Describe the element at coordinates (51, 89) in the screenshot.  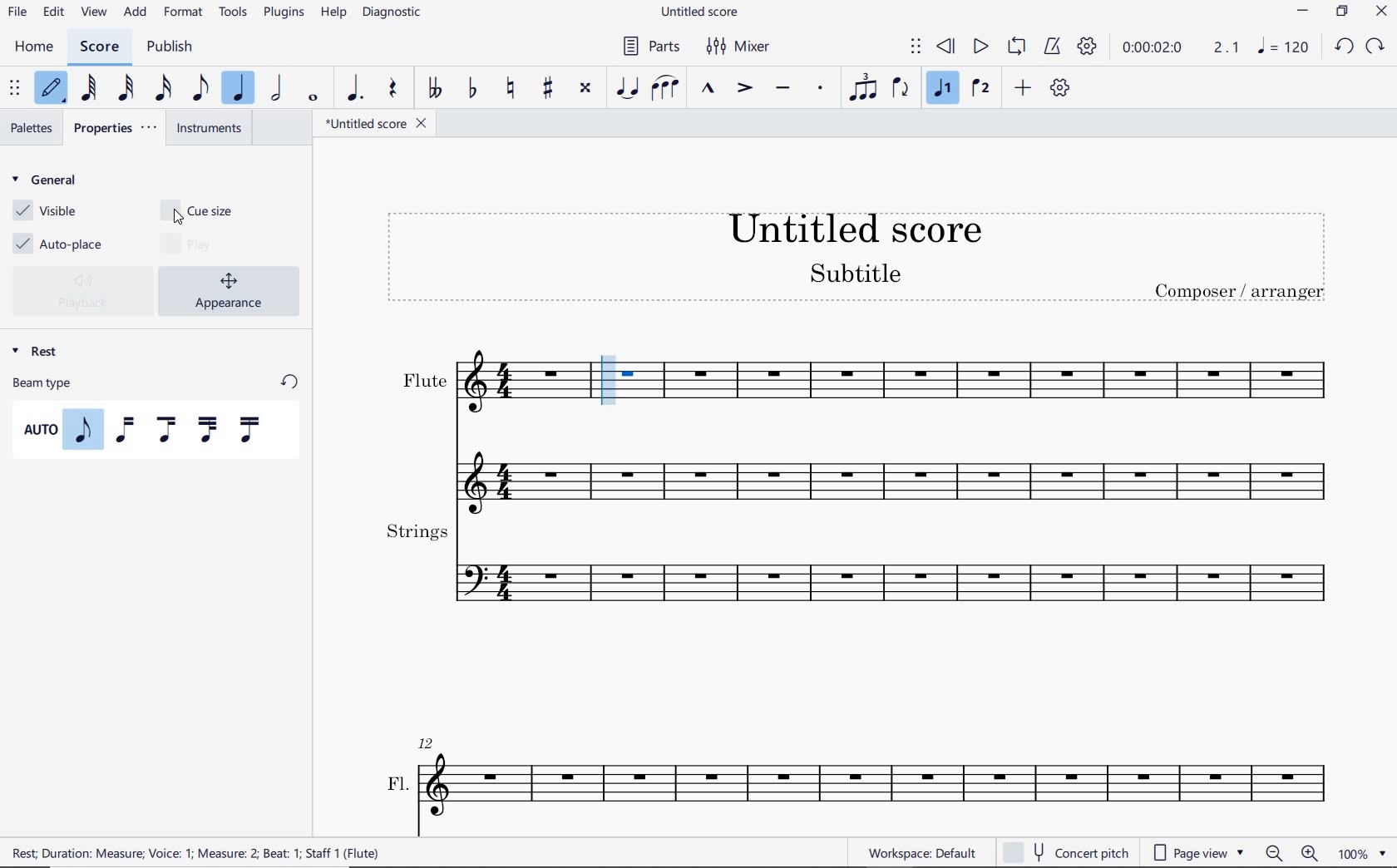
I see `DEFAULT (STEP TIME) (N)` at that location.